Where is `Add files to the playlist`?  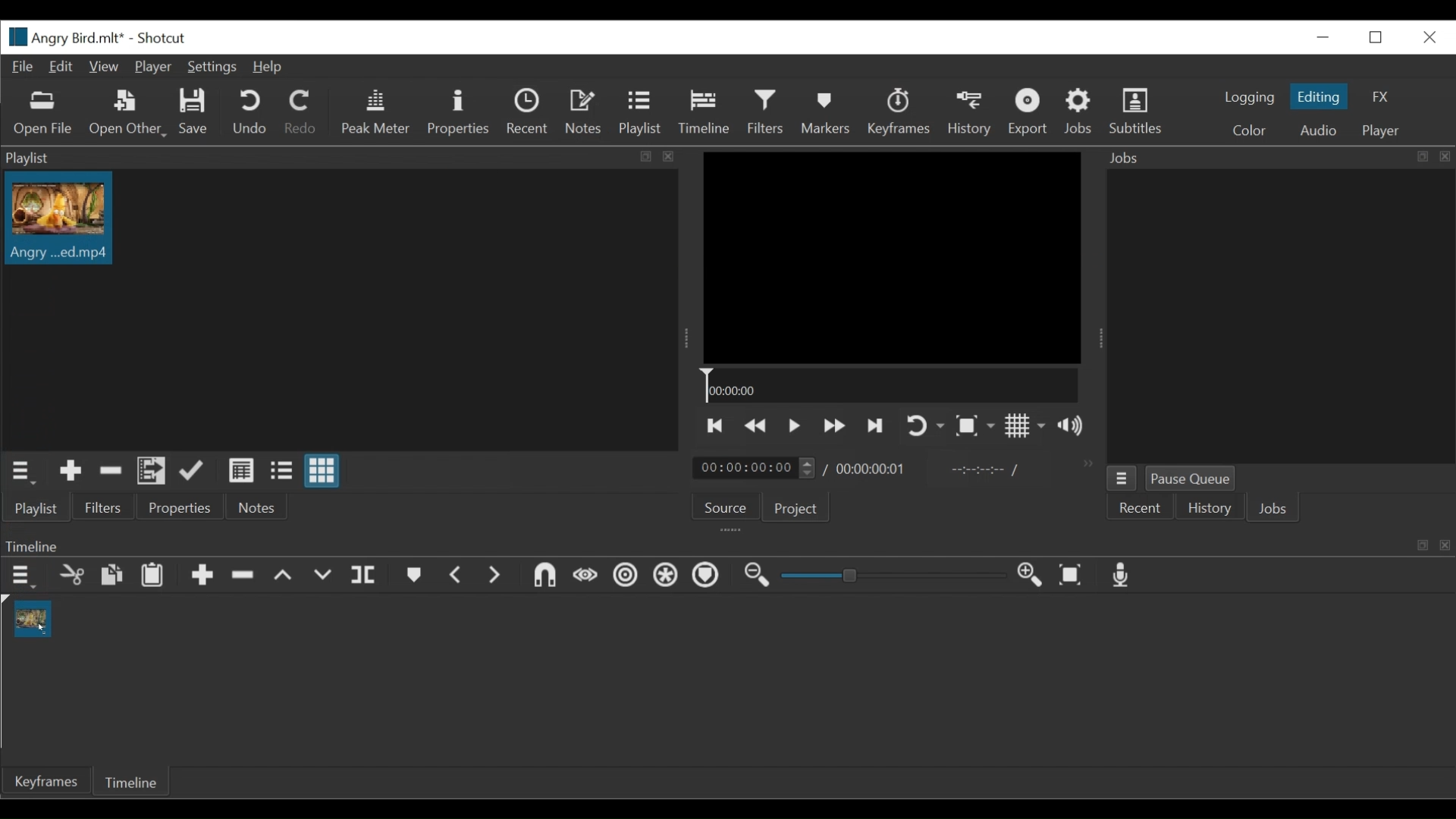
Add files to the playlist is located at coordinates (152, 471).